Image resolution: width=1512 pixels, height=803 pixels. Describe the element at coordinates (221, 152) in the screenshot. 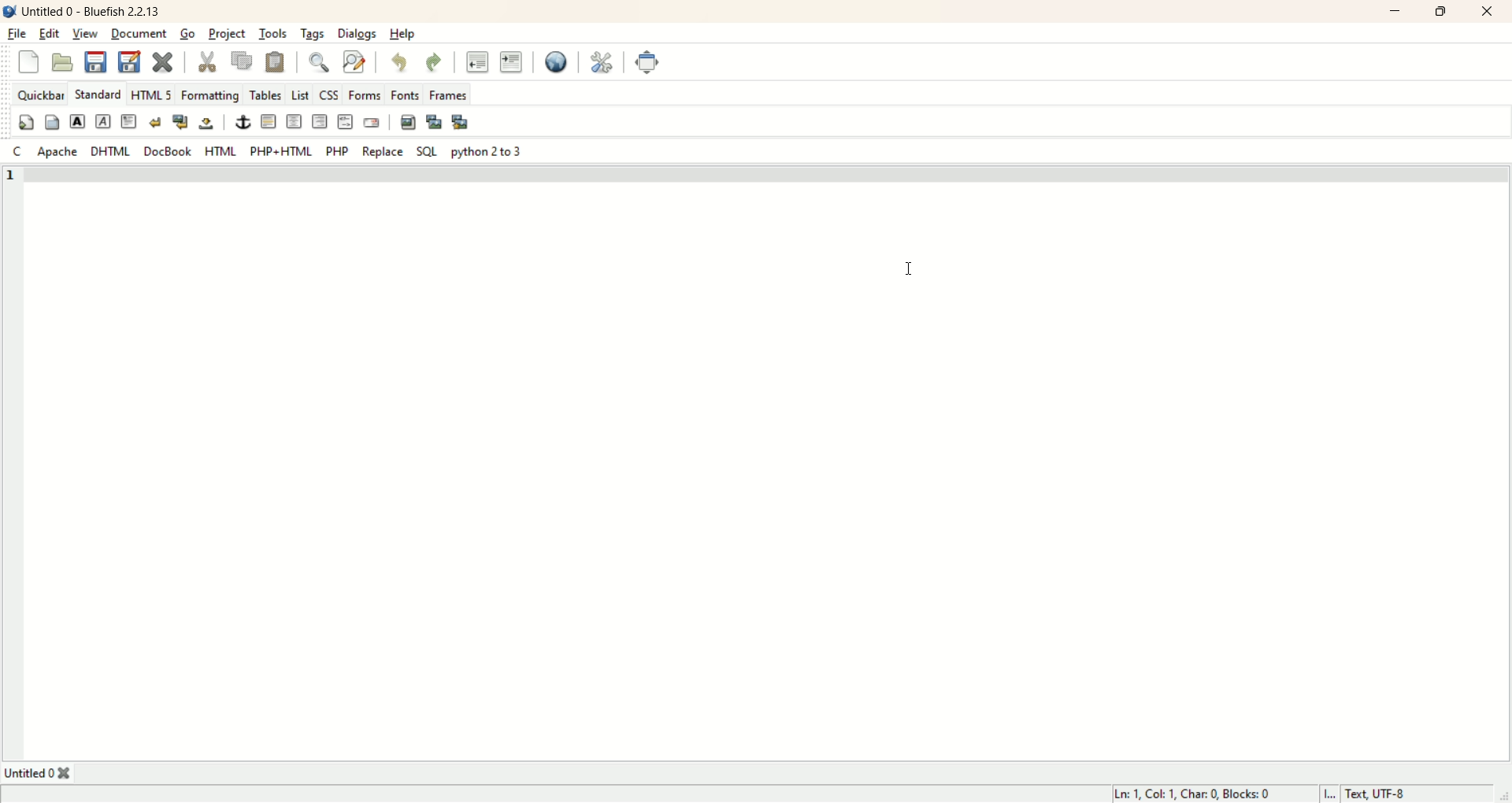

I see `HTML` at that location.